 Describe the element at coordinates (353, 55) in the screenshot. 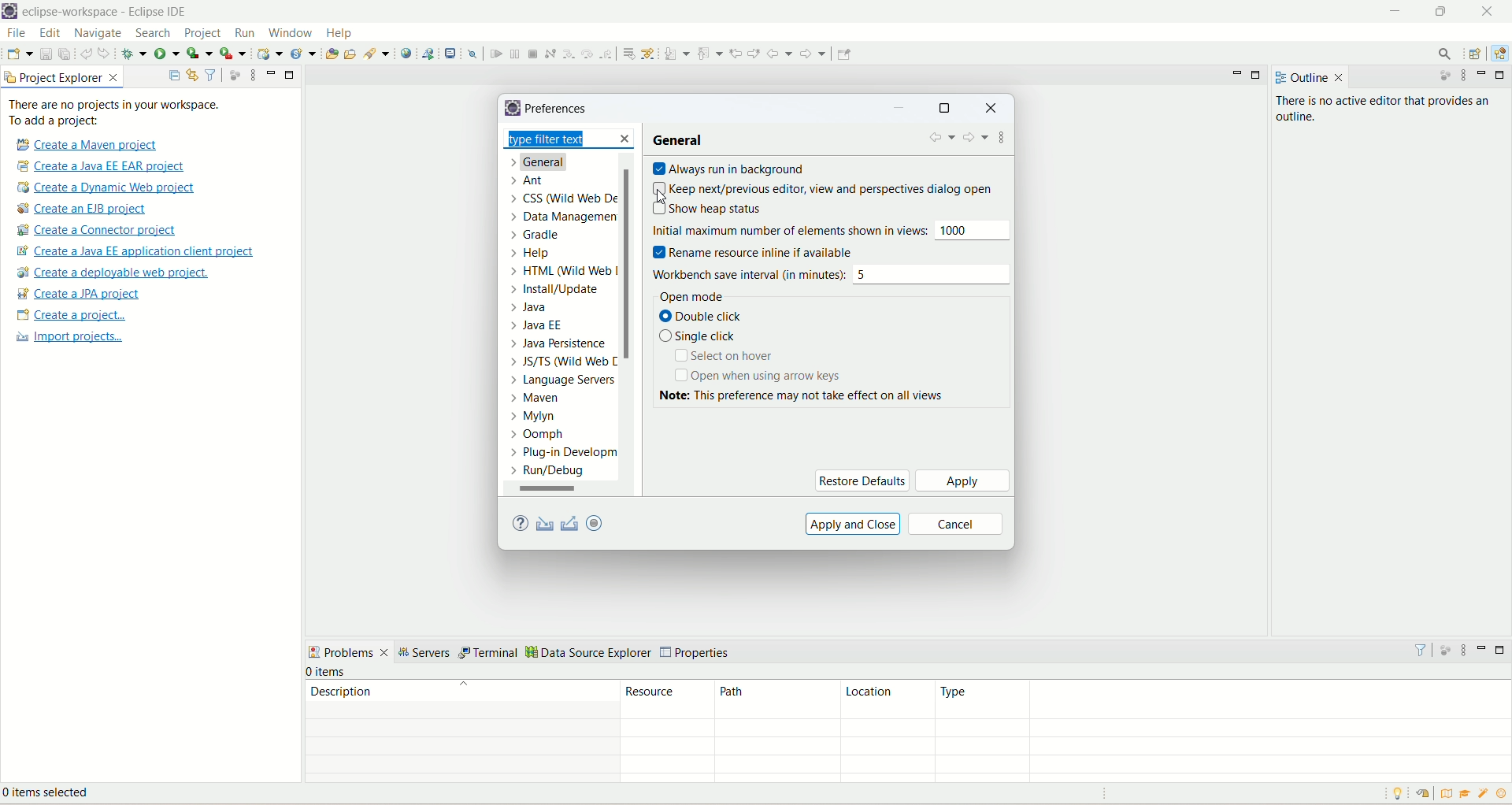

I see `open task` at that location.